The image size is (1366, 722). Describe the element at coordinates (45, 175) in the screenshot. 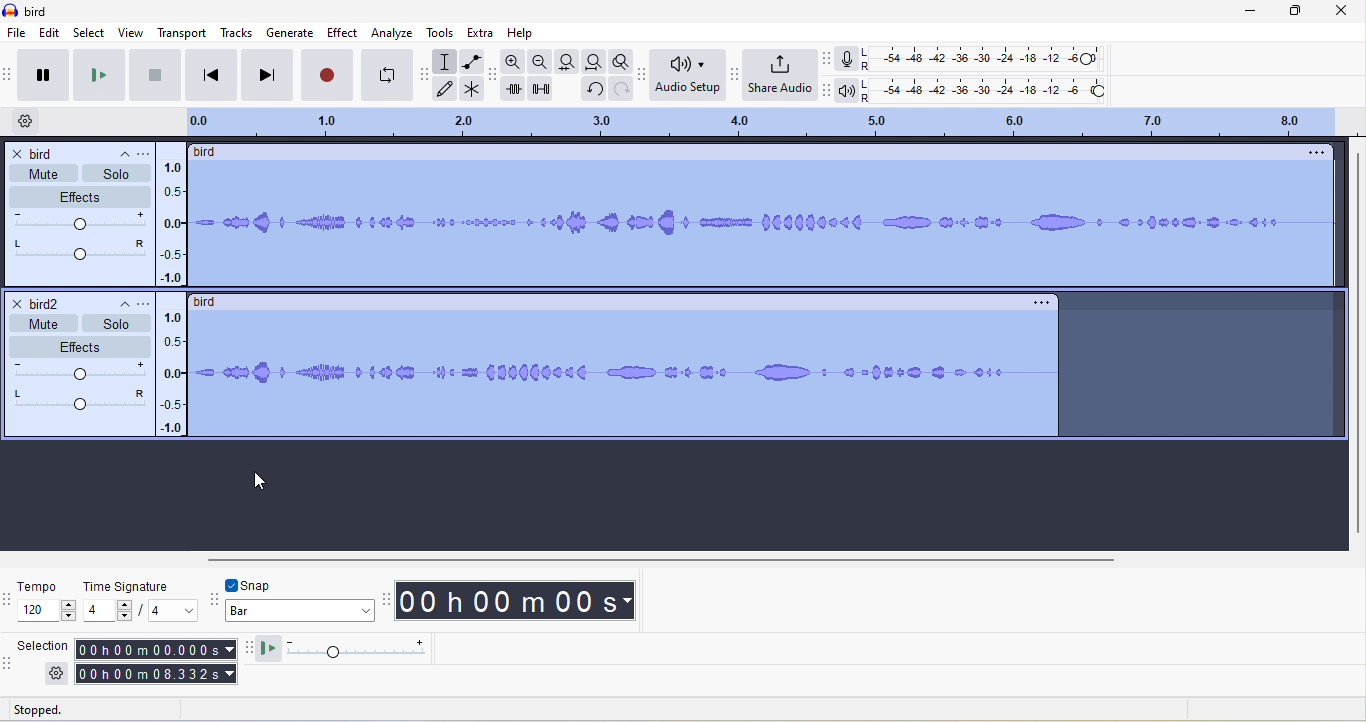

I see `mute` at that location.